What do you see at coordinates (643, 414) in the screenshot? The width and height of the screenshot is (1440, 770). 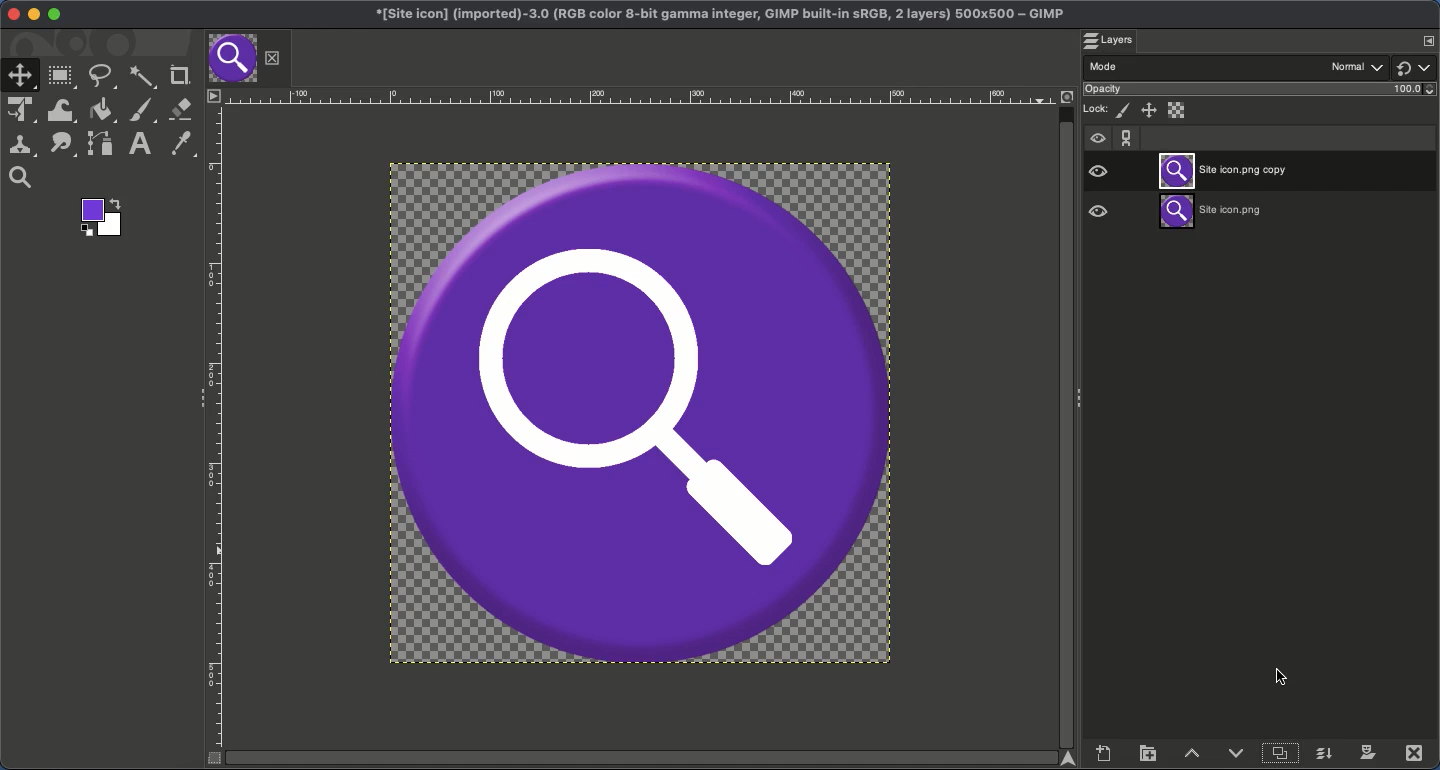 I see `Image` at bounding box center [643, 414].